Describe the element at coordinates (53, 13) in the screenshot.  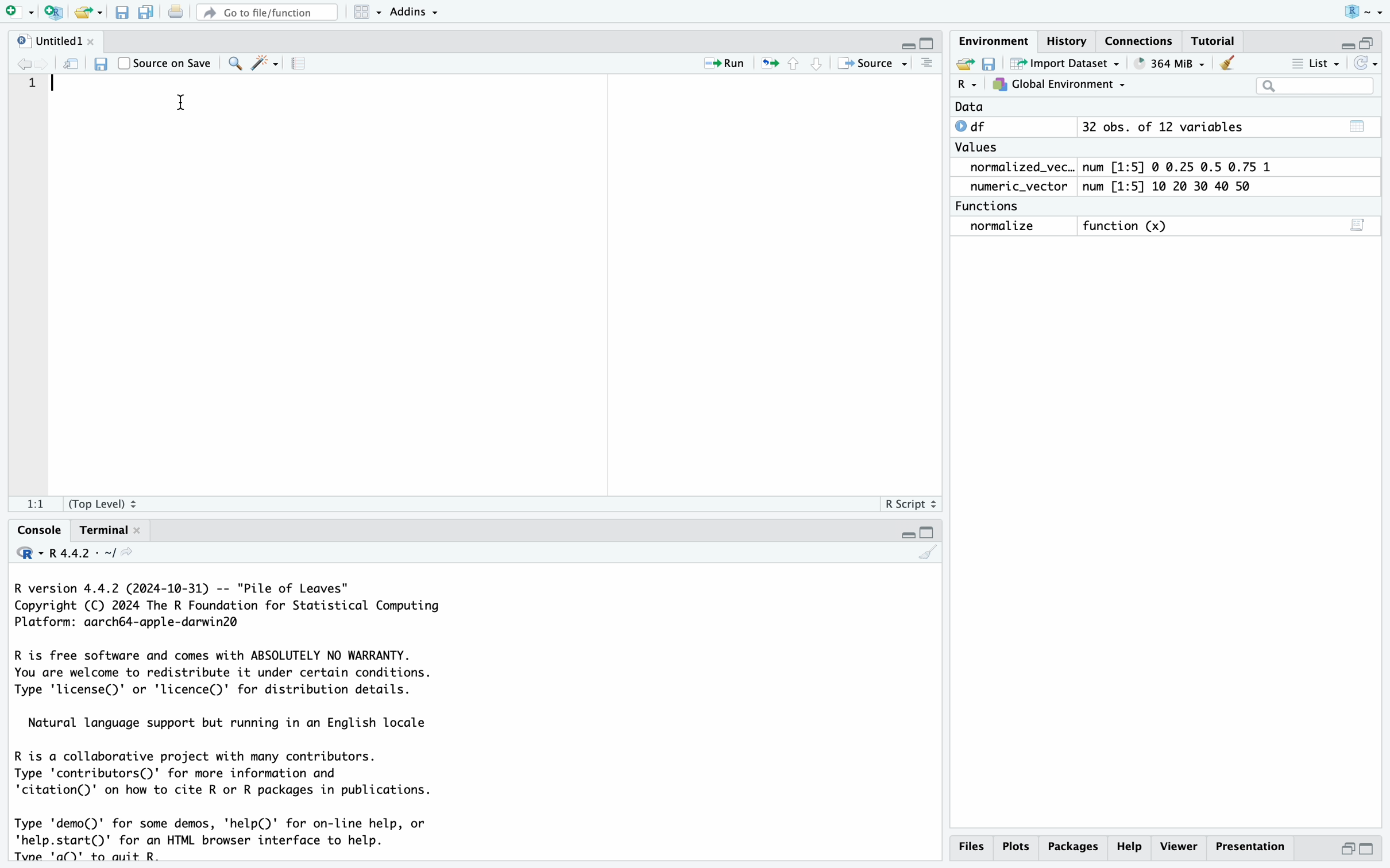
I see `New R Script` at that location.